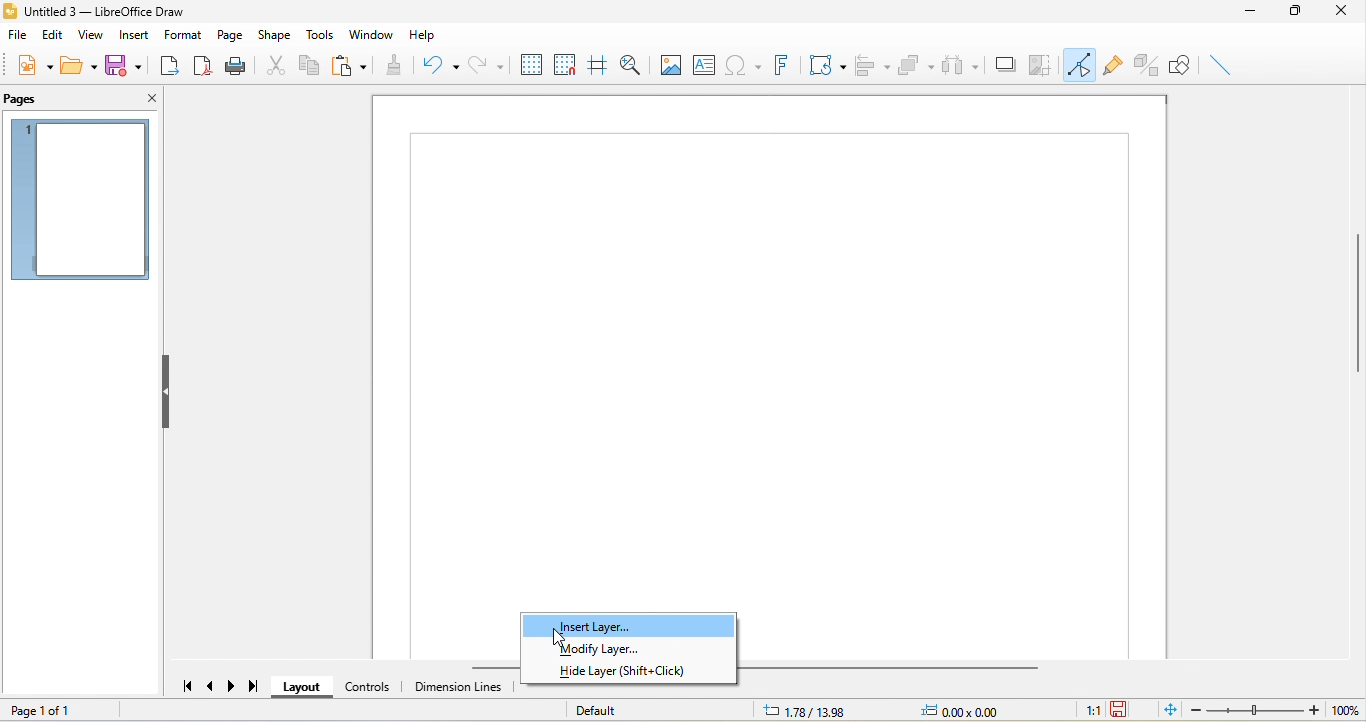 This screenshot has height=722, width=1366. Describe the element at coordinates (876, 62) in the screenshot. I see `align object` at that location.